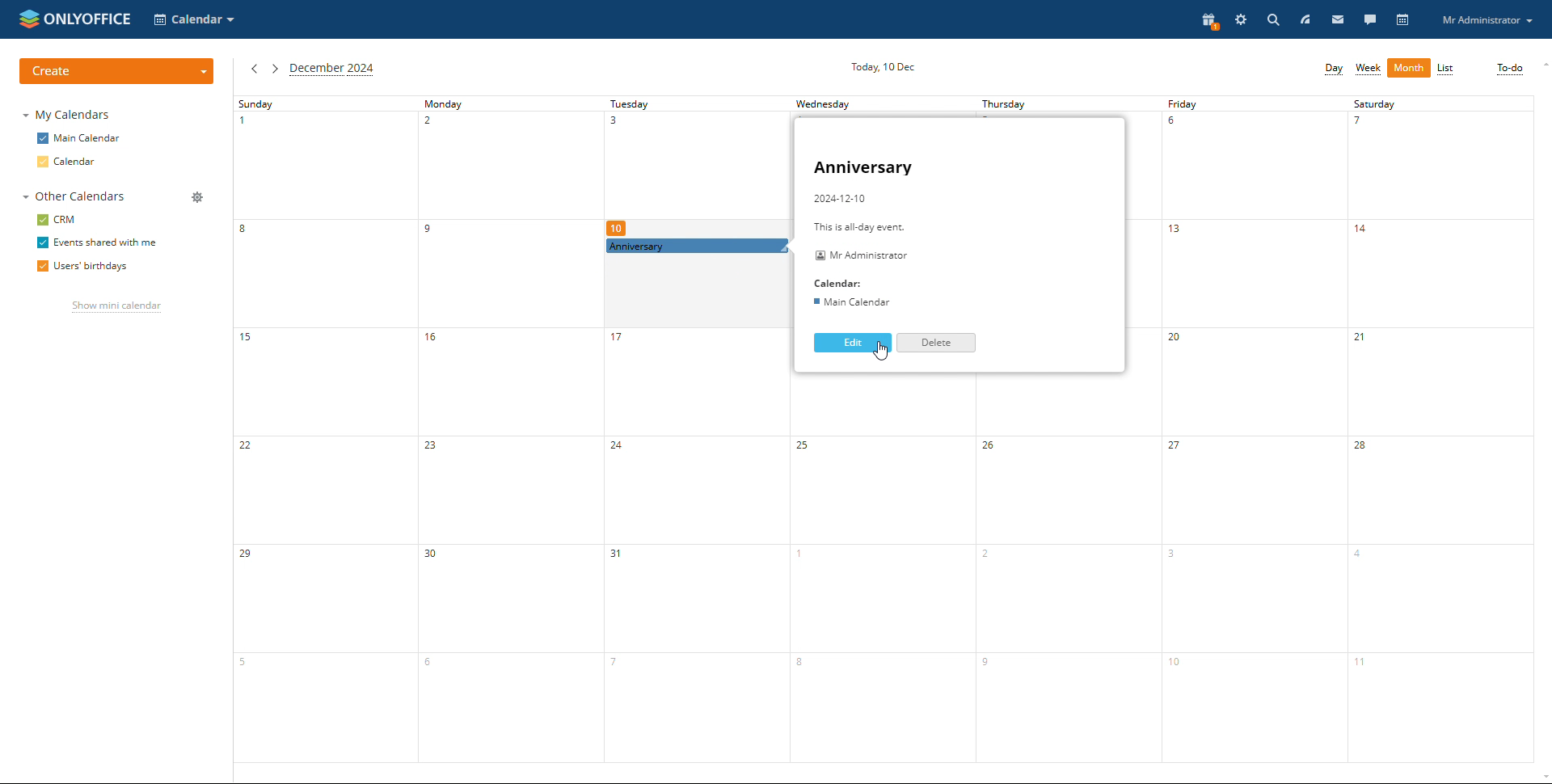 This screenshot has width=1552, height=784. Describe the element at coordinates (57, 221) in the screenshot. I see `crm` at that location.